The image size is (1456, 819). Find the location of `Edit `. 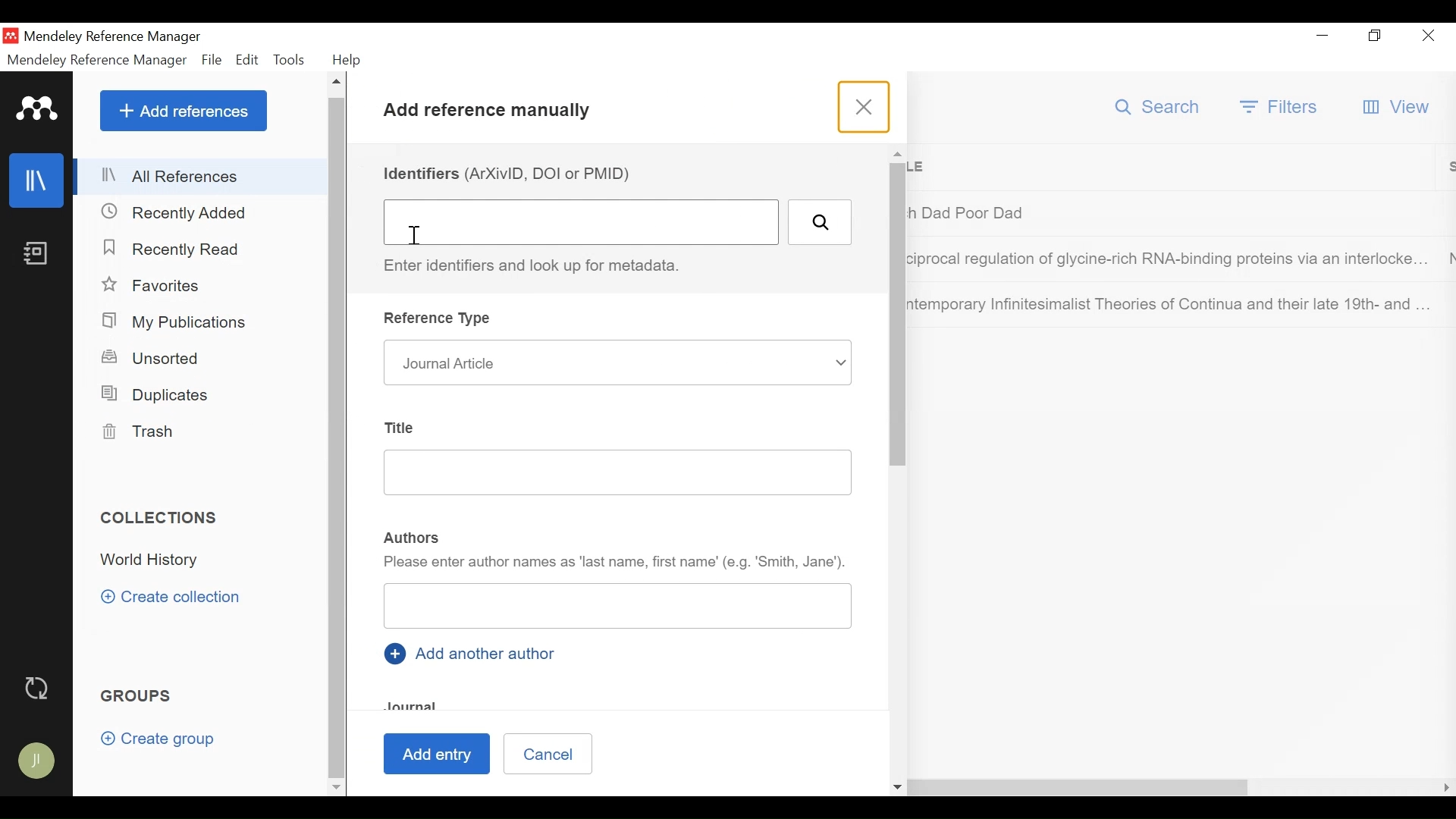

Edit  is located at coordinates (247, 59).